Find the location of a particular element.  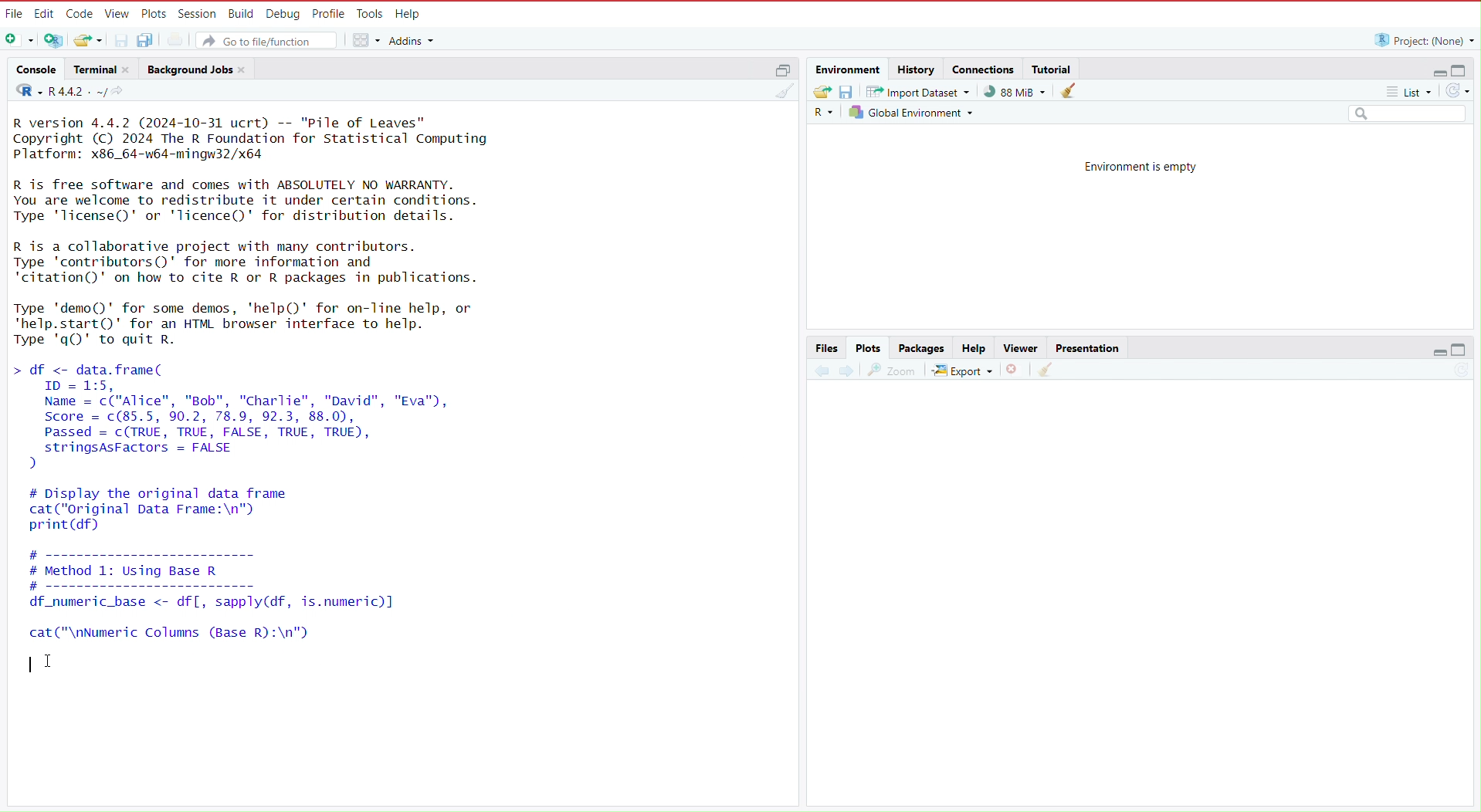

save current document is located at coordinates (121, 41).